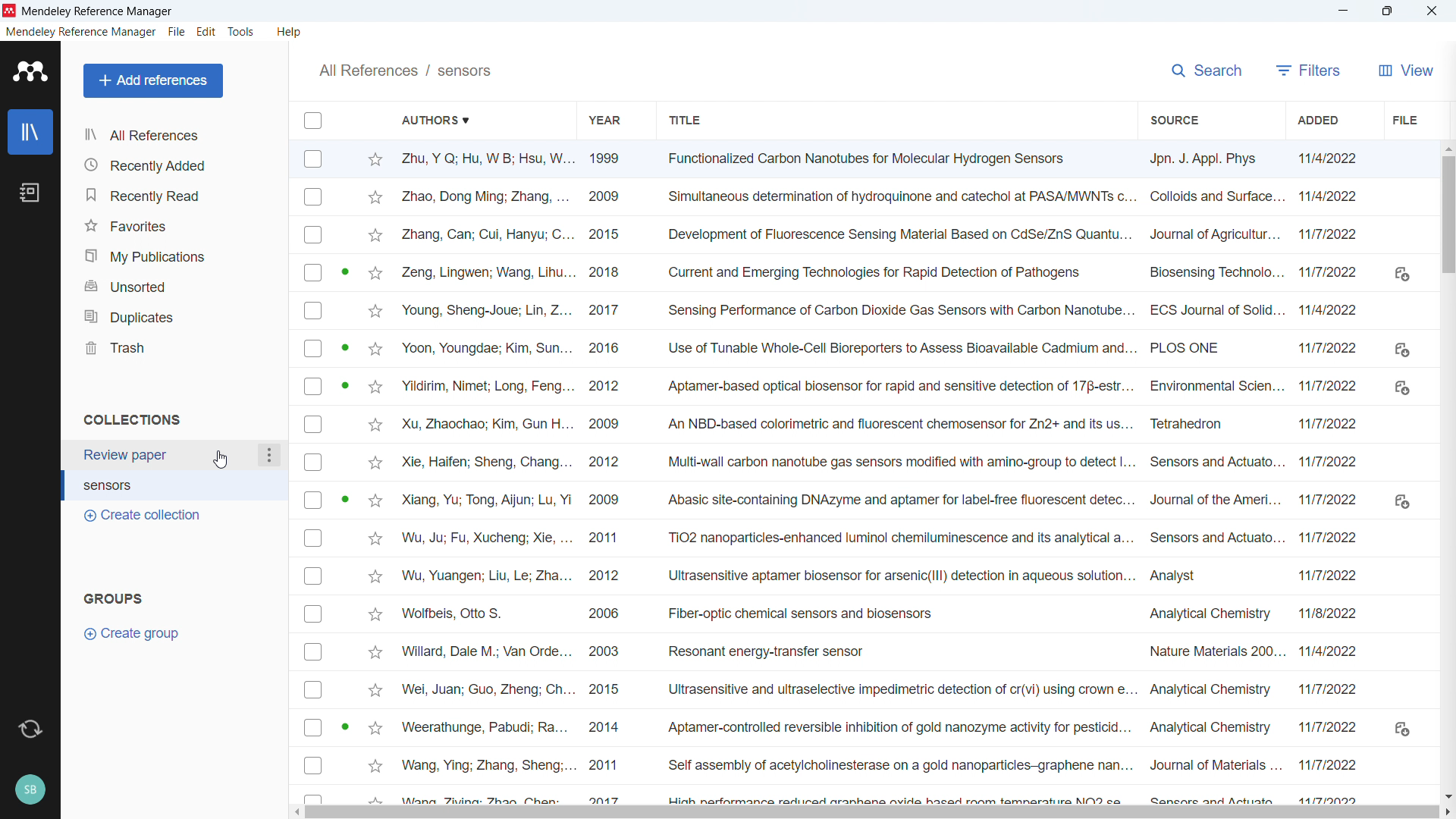 This screenshot has width=1456, height=819. I want to click on Authors of individual entries , so click(485, 475).